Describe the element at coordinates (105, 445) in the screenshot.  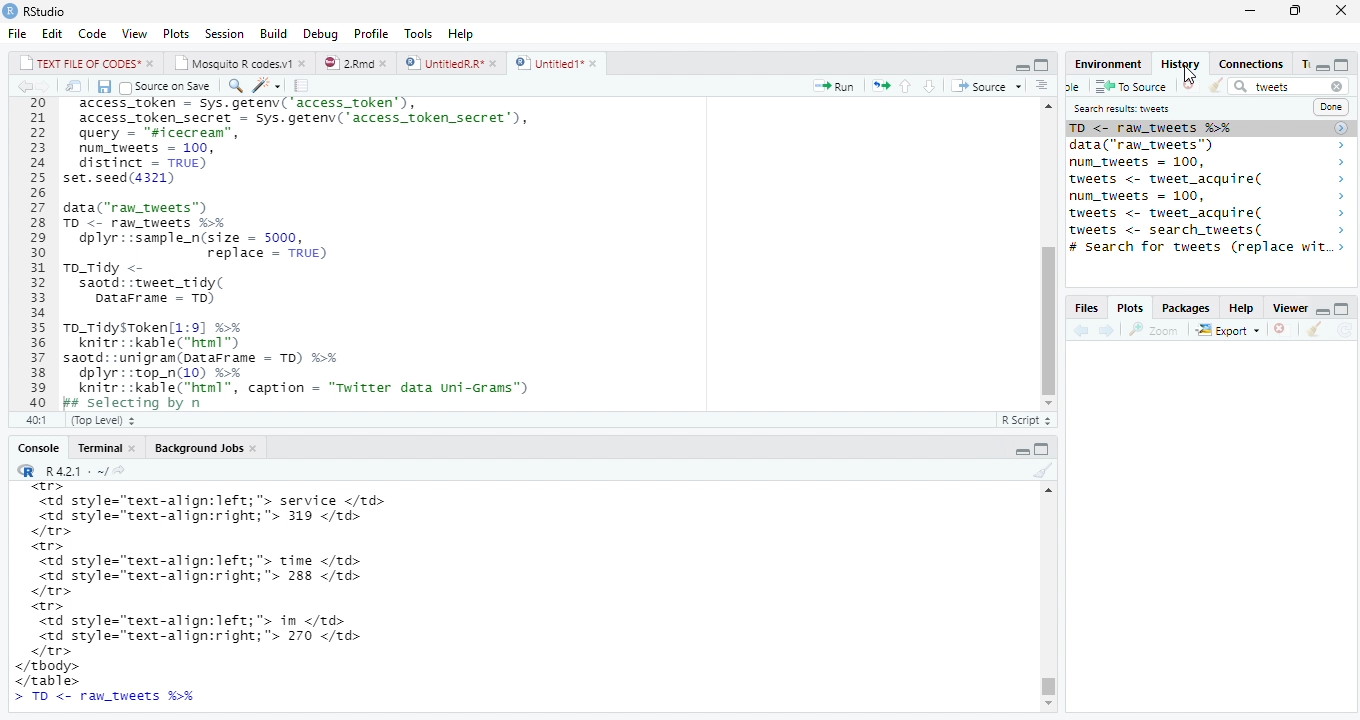
I see `Teominal` at that location.